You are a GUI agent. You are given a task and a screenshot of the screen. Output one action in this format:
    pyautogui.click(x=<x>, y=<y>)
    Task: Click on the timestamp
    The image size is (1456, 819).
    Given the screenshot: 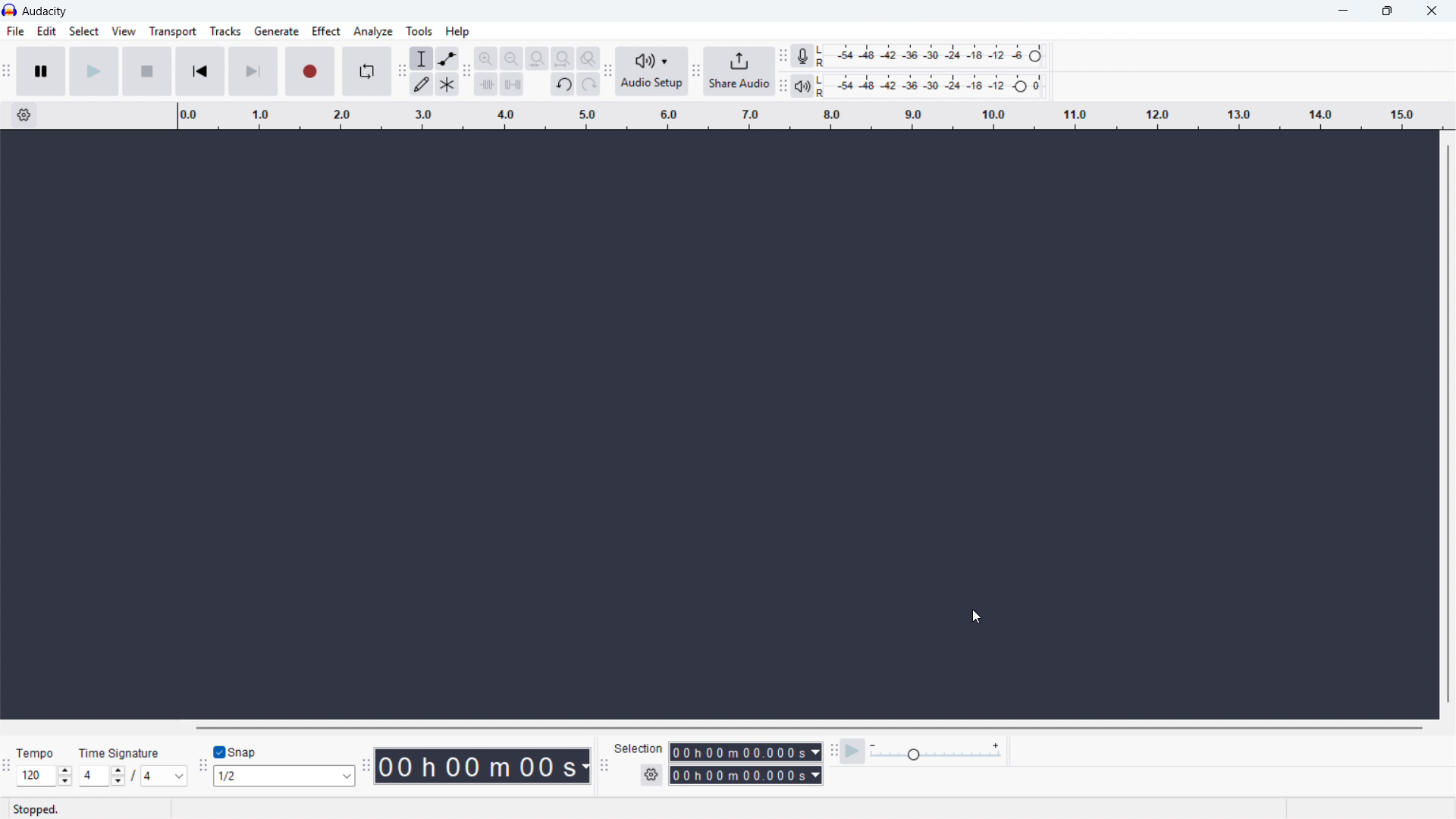 What is the action you would take?
    pyautogui.click(x=483, y=765)
    